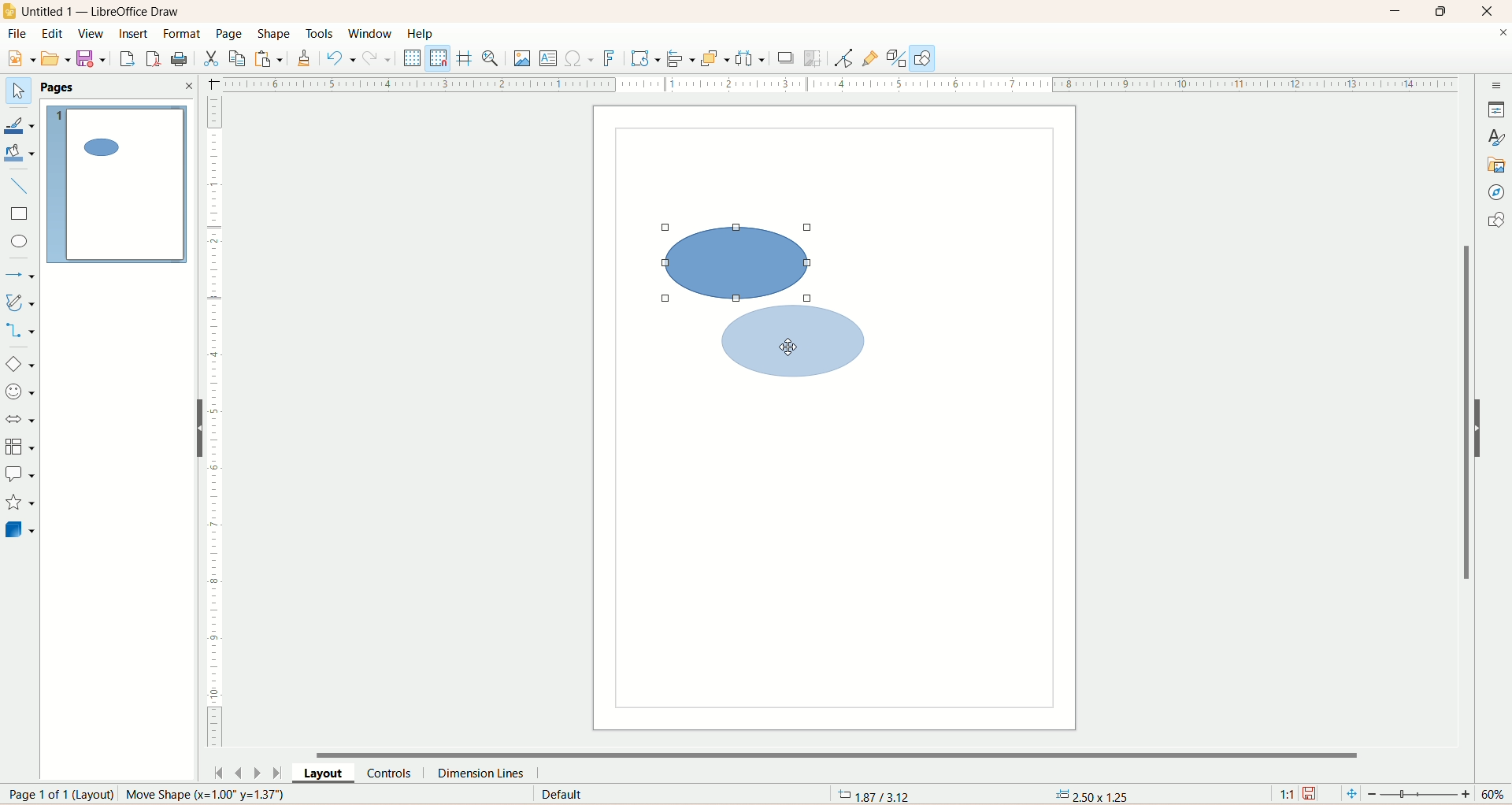 The image size is (1512, 805). Describe the element at coordinates (413, 58) in the screenshot. I see `display grid` at that location.